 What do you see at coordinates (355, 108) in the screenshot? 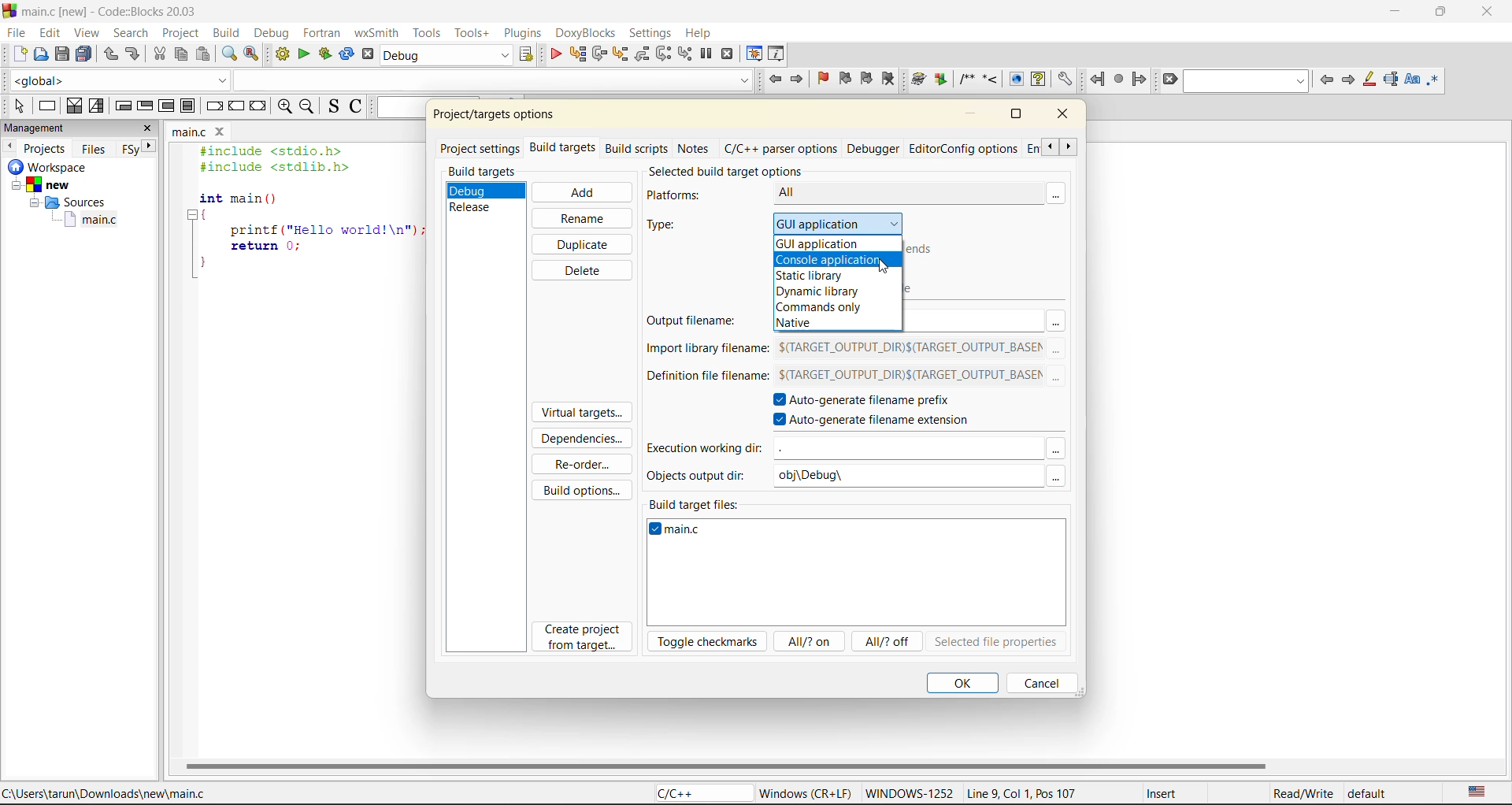
I see `toggle comments` at bounding box center [355, 108].